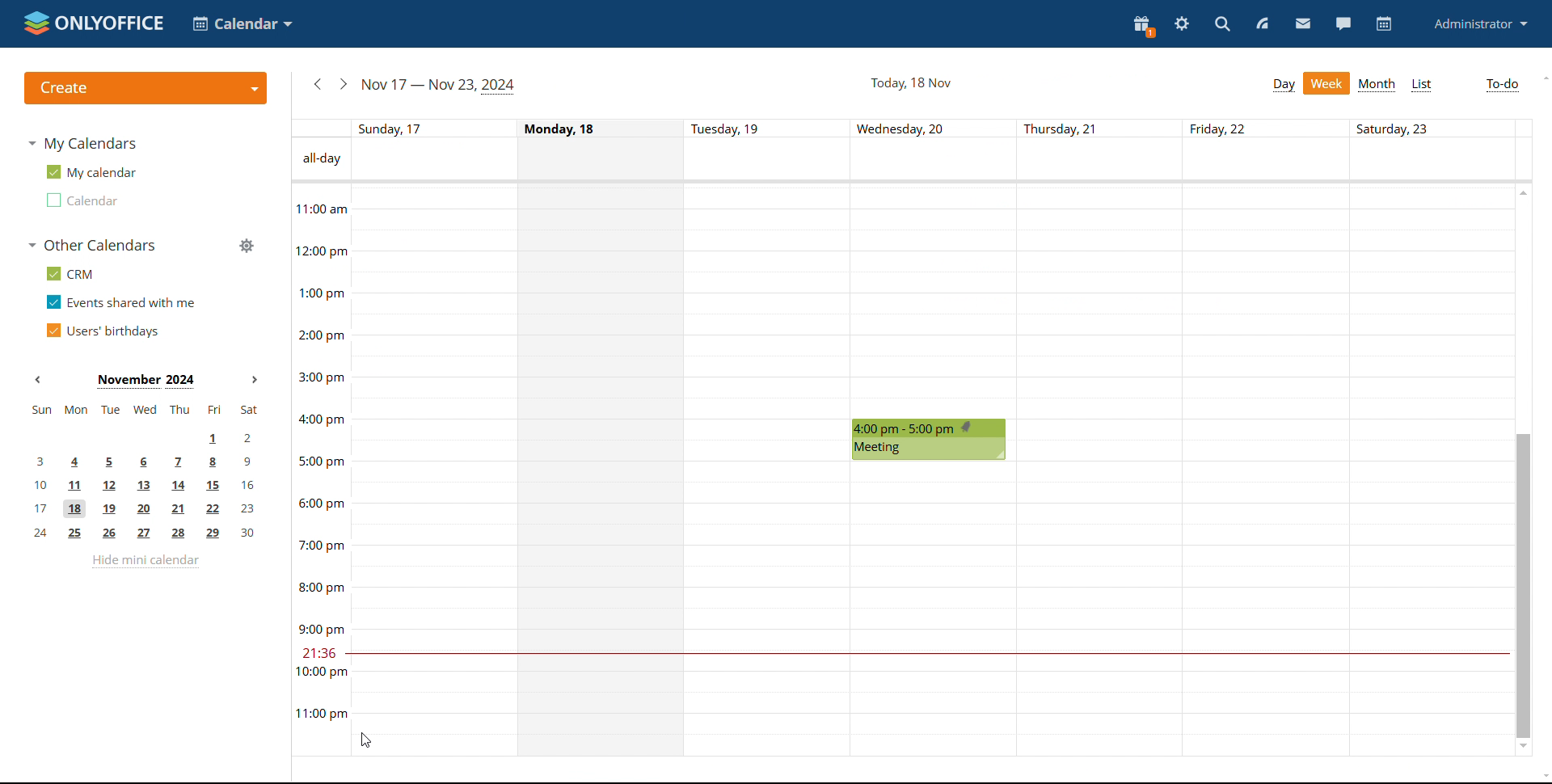 The height and width of the screenshot is (784, 1552). Describe the element at coordinates (1283, 86) in the screenshot. I see `day view` at that location.